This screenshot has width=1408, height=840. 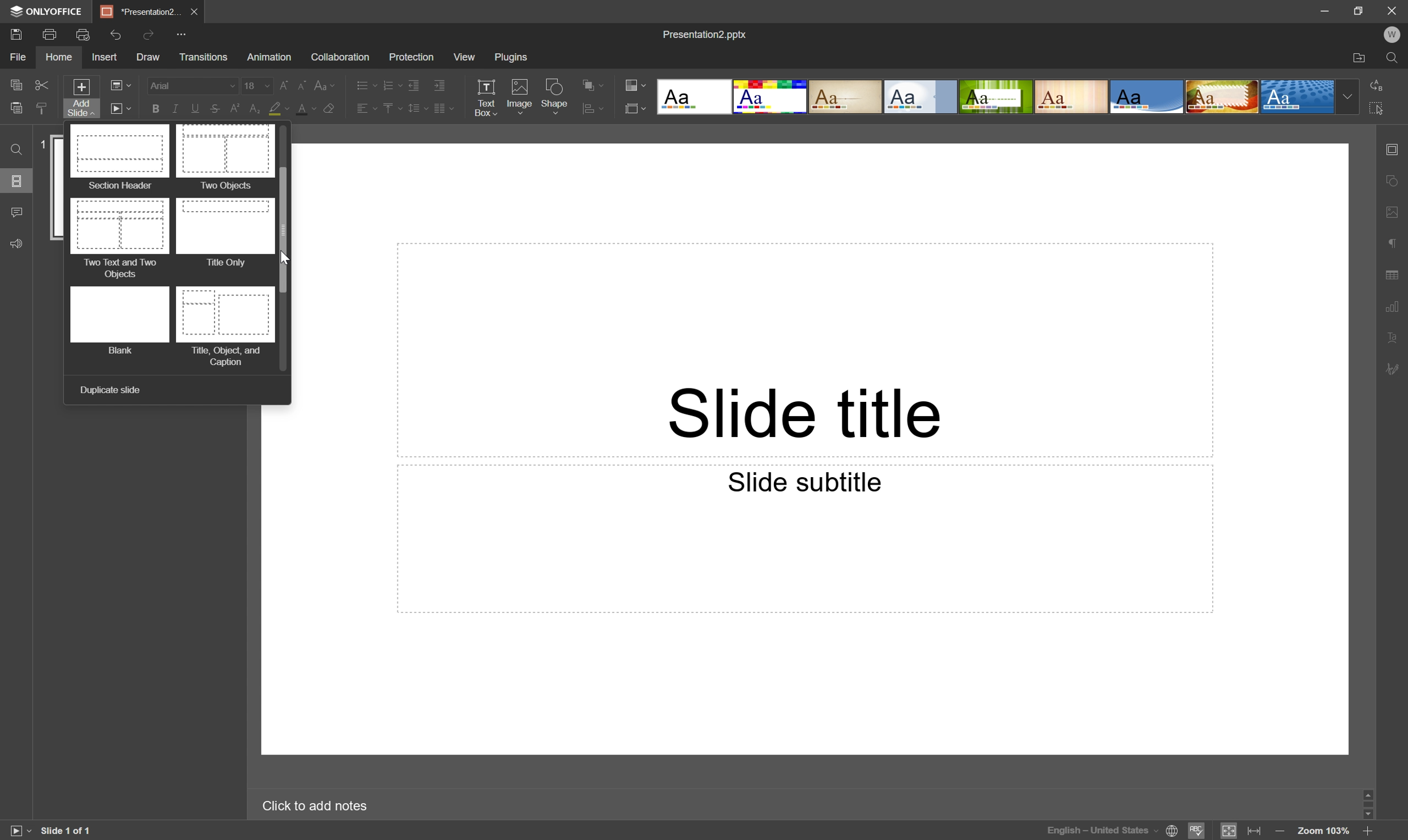 What do you see at coordinates (303, 106) in the screenshot?
I see `Font color` at bounding box center [303, 106].